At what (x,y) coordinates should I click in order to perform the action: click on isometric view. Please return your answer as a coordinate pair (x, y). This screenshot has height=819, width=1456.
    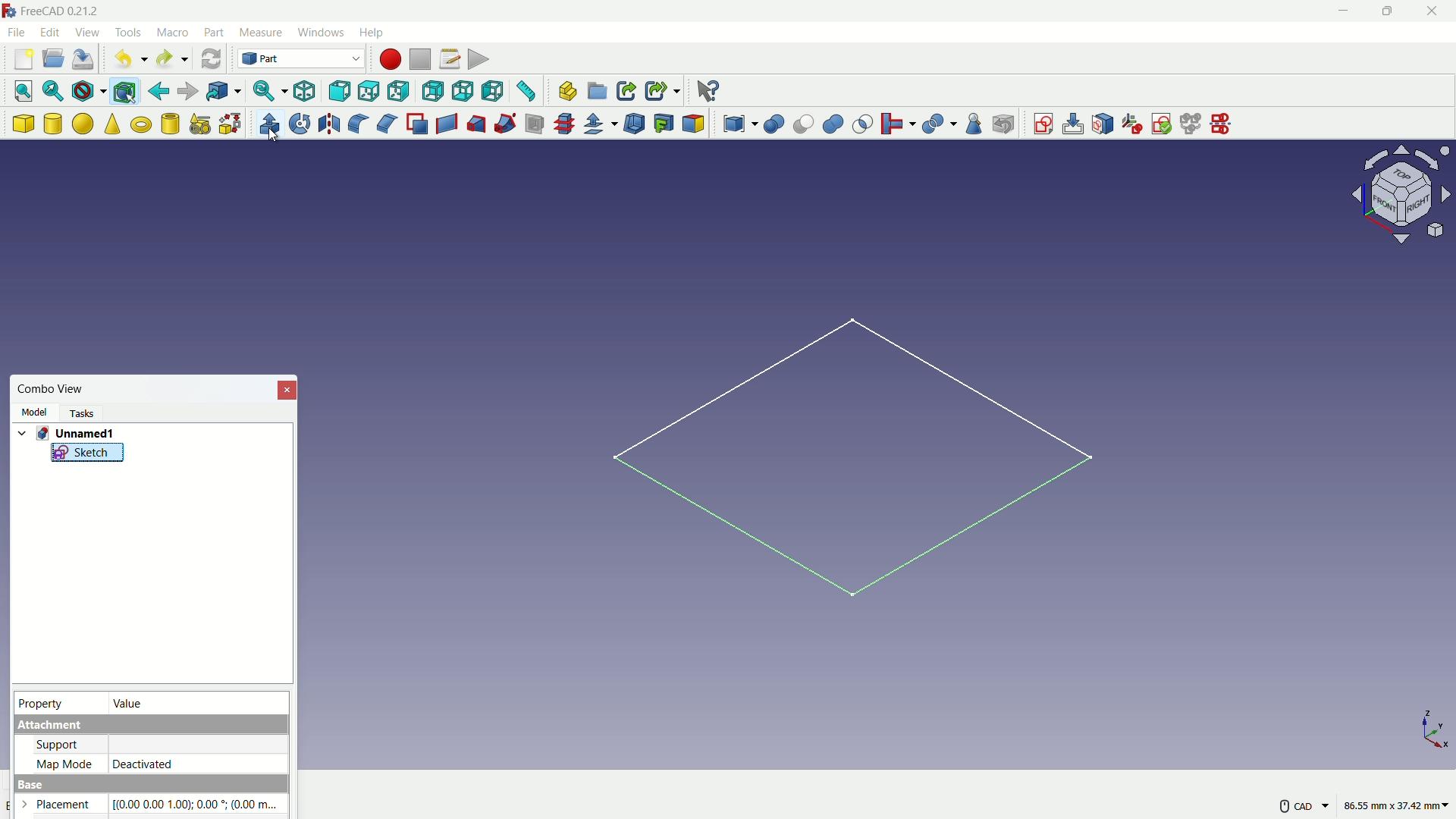
    Looking at the image, I should click on (305, 92).